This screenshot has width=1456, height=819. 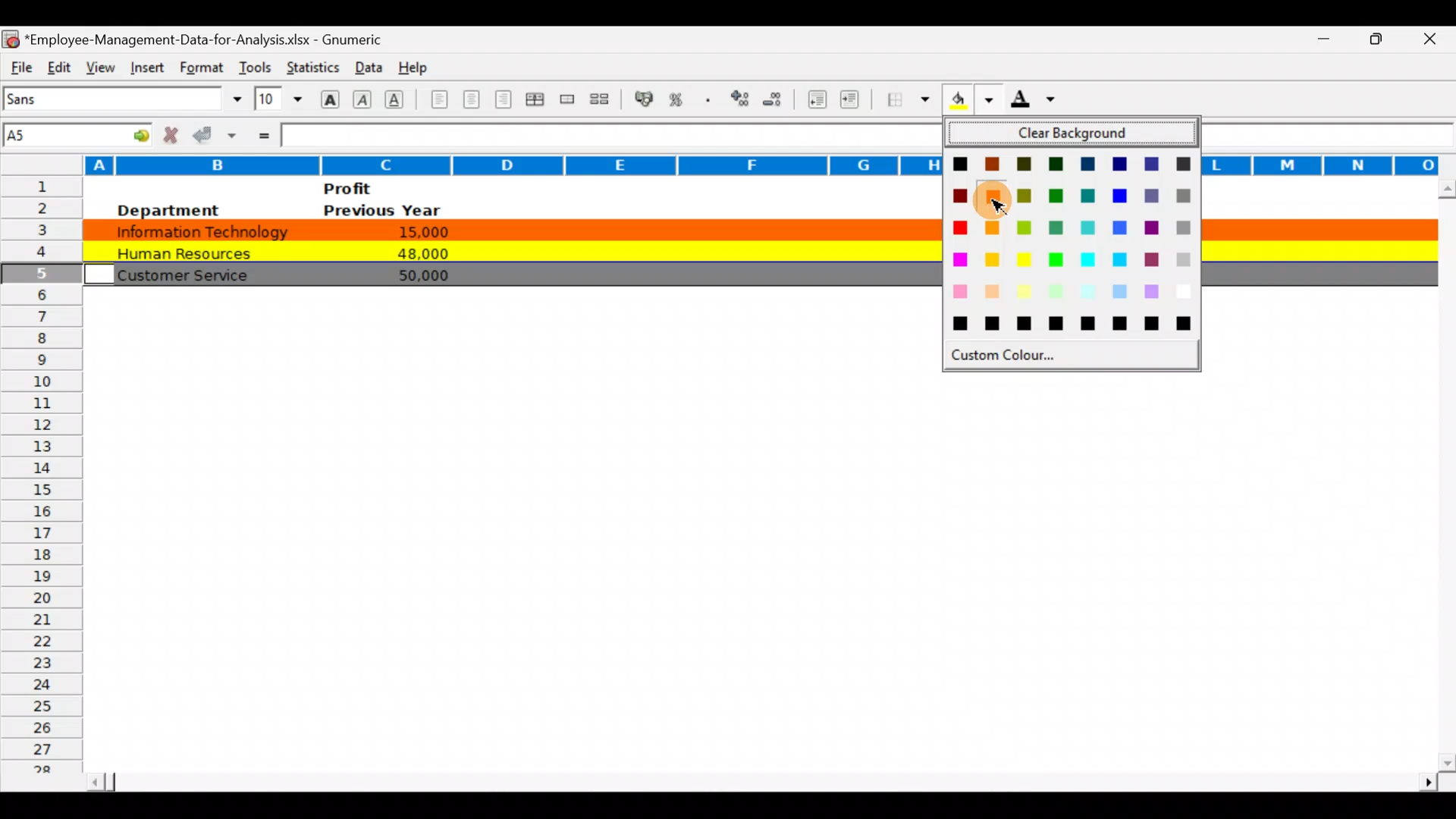 What do you see at coordinates (399, 99) in the screenshot?
I see `Underline` at bounding box center [399, 99].